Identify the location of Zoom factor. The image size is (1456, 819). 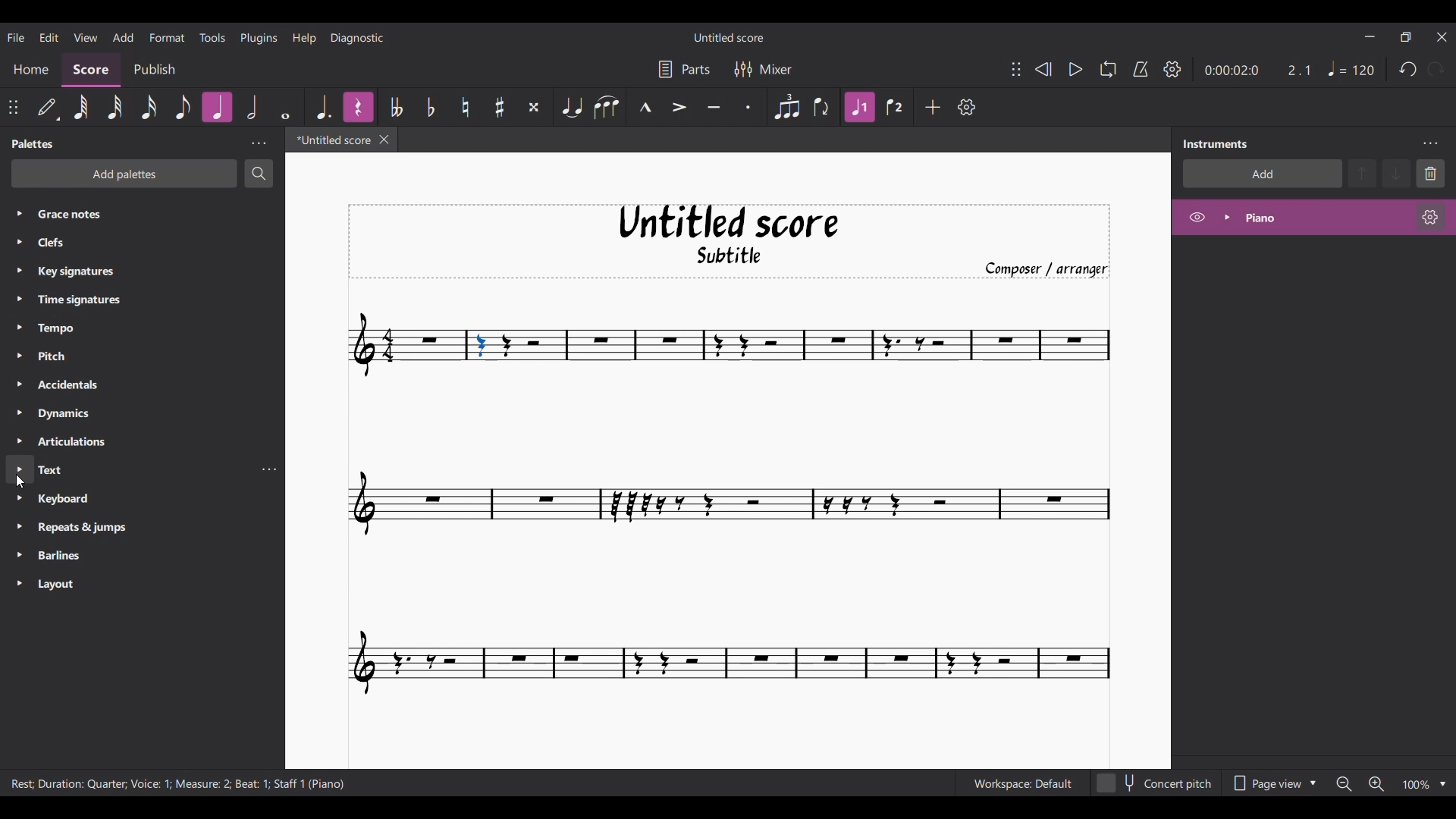
(1417, 784).